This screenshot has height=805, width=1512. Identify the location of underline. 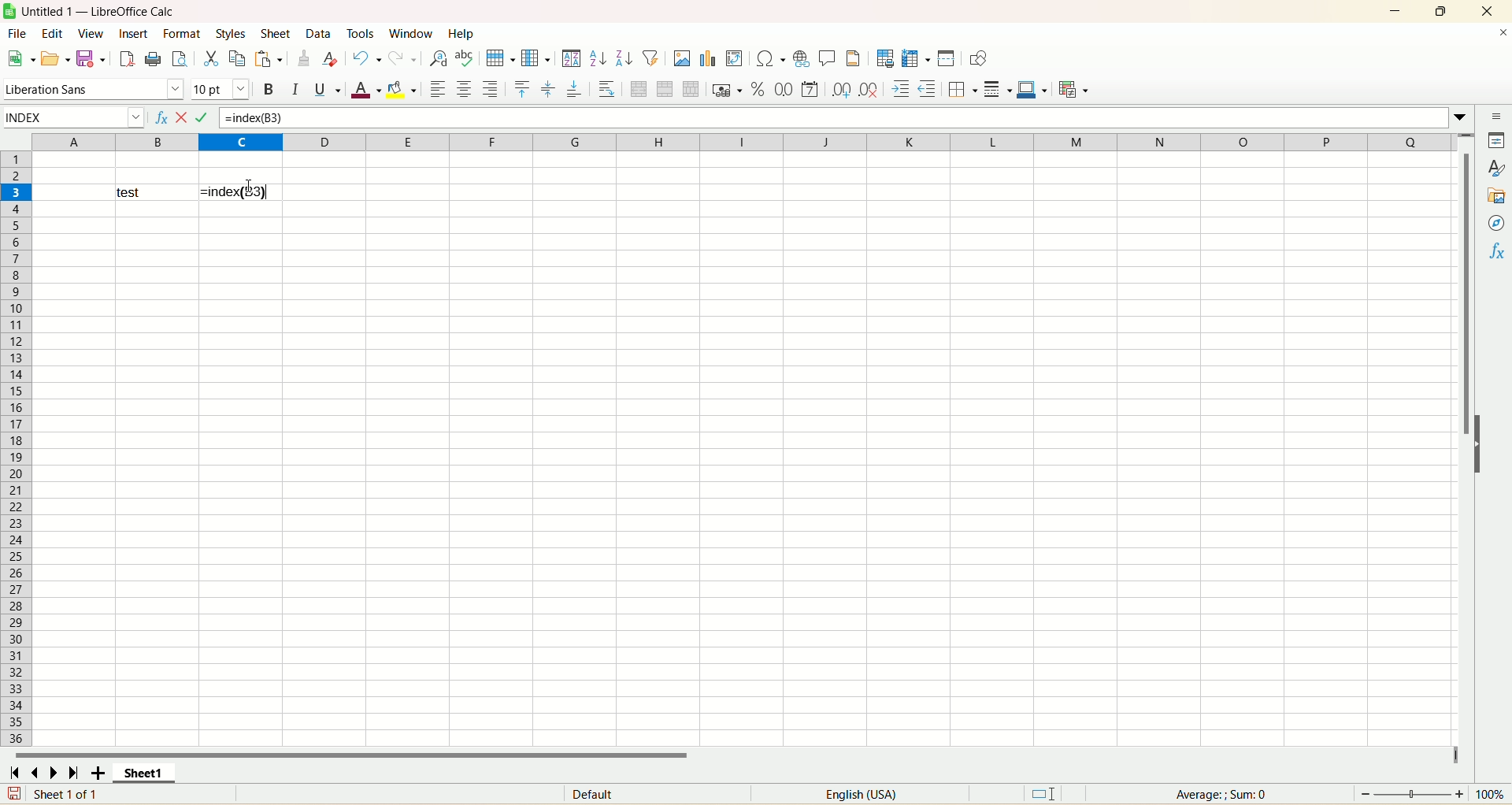
(328, 89).